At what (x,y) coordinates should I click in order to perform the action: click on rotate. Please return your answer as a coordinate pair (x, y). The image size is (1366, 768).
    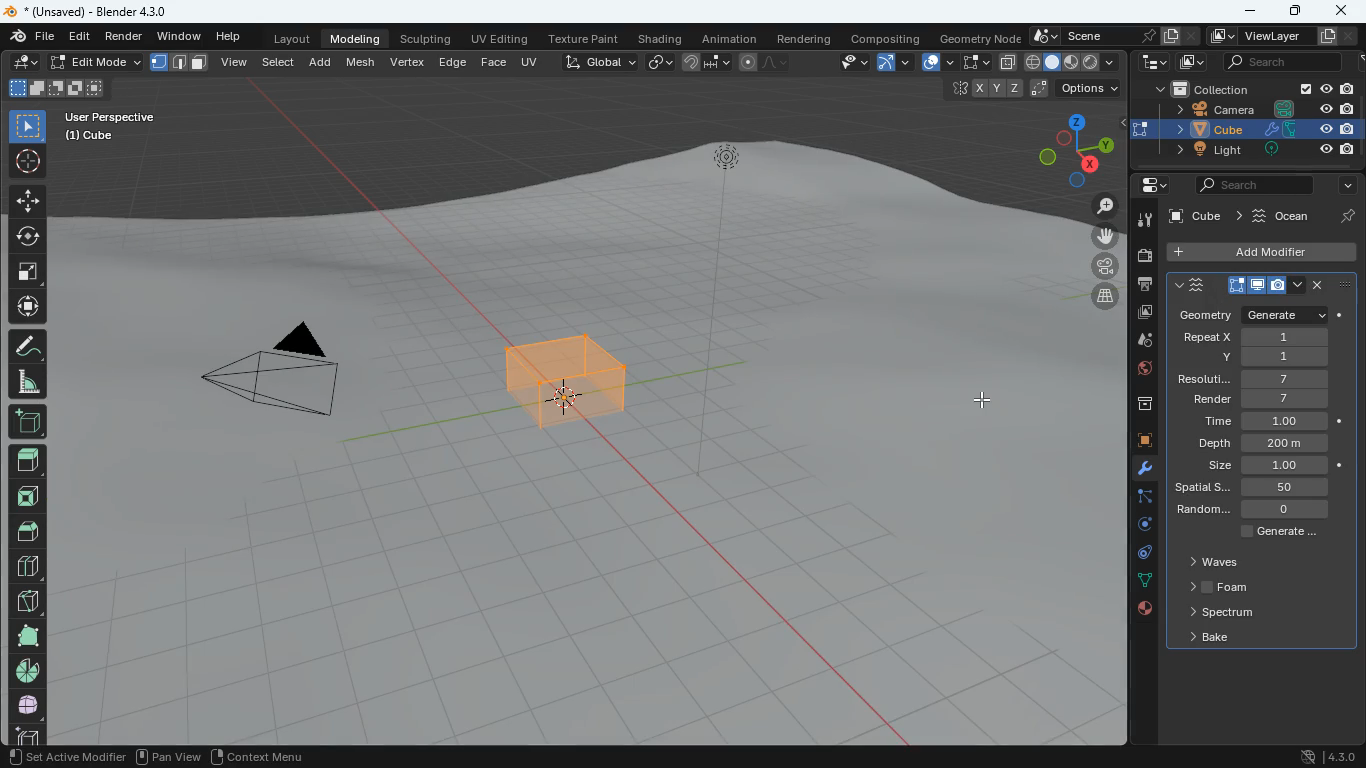
    Looking at the image, I should click on (26, 236).